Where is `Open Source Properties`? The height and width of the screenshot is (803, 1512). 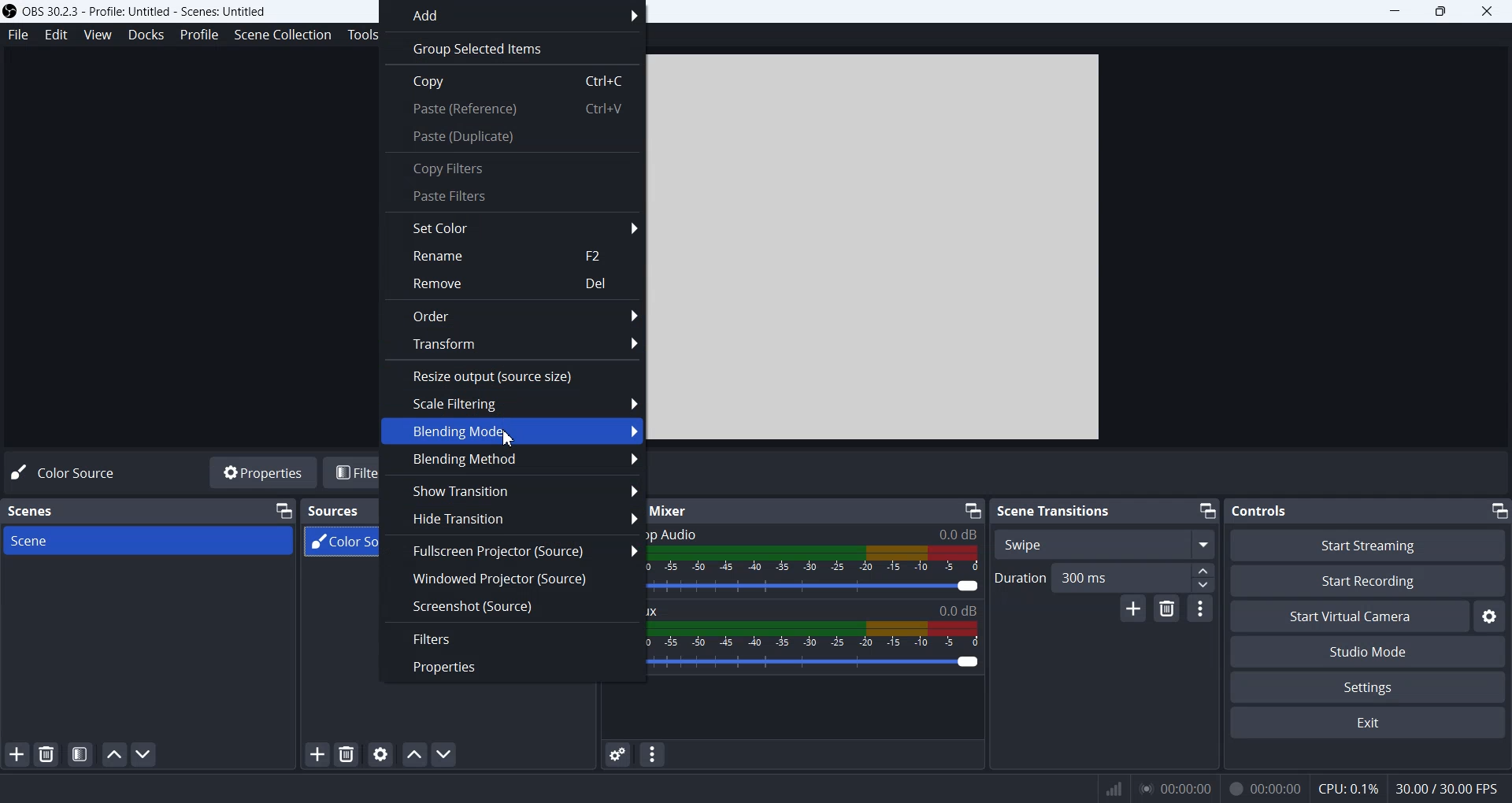 Open Source Properties is located at coordinates (380, 754).